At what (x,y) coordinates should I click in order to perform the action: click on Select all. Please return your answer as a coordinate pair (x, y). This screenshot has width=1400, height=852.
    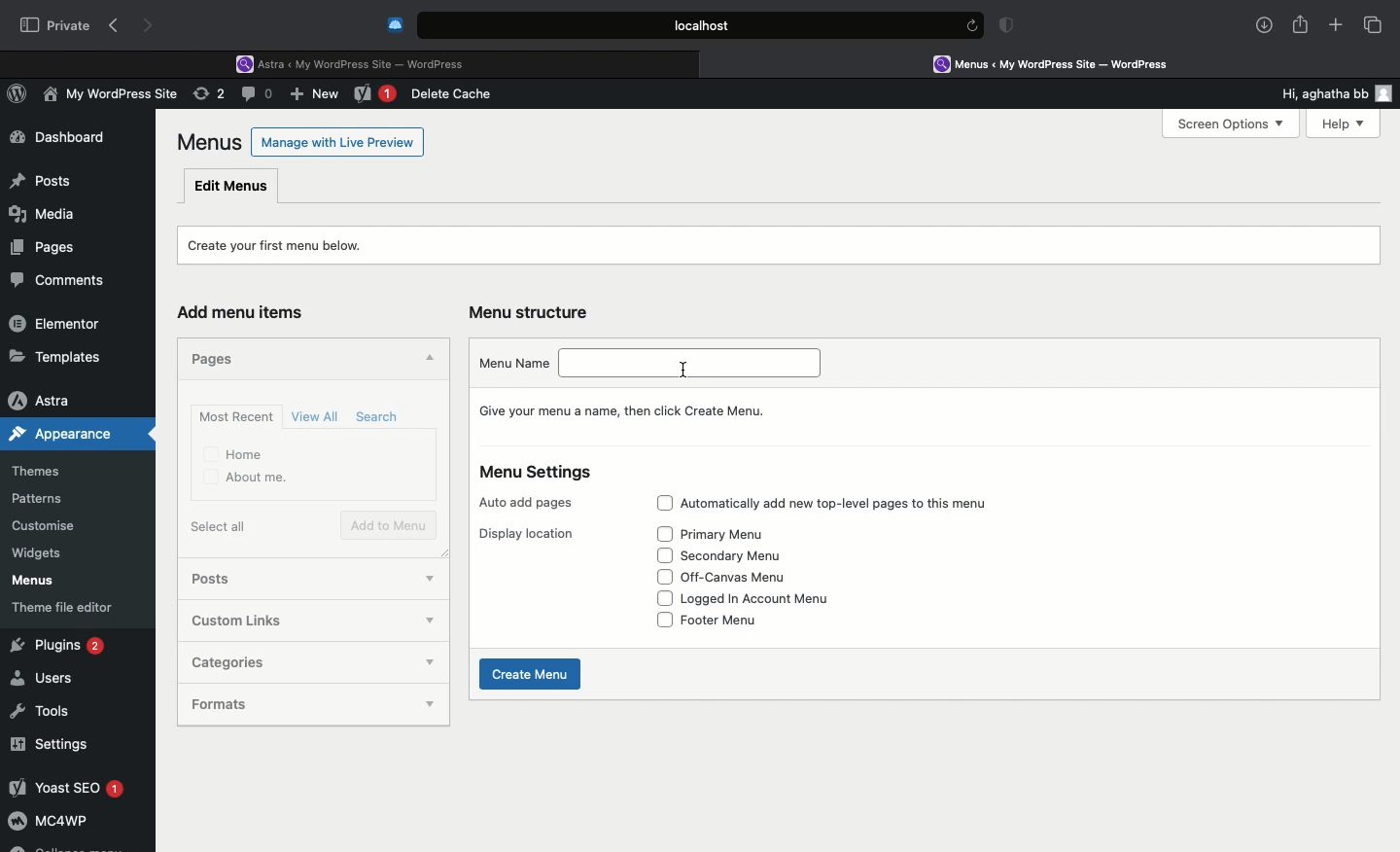
    Looking at the image, I should click on (223, 526).